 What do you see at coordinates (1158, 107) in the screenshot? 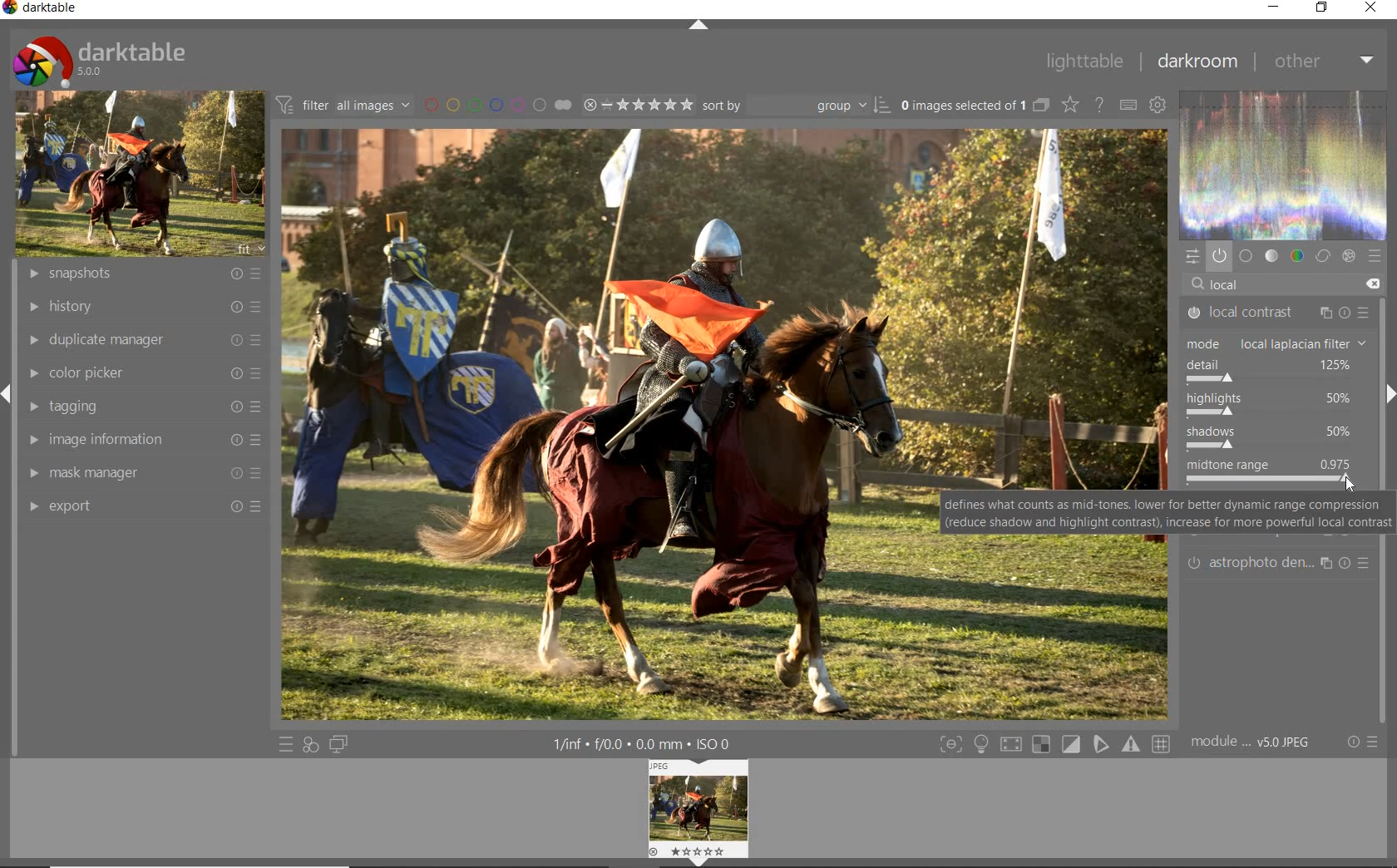
I see `show global preferences` at bounding box center [1158, 107].